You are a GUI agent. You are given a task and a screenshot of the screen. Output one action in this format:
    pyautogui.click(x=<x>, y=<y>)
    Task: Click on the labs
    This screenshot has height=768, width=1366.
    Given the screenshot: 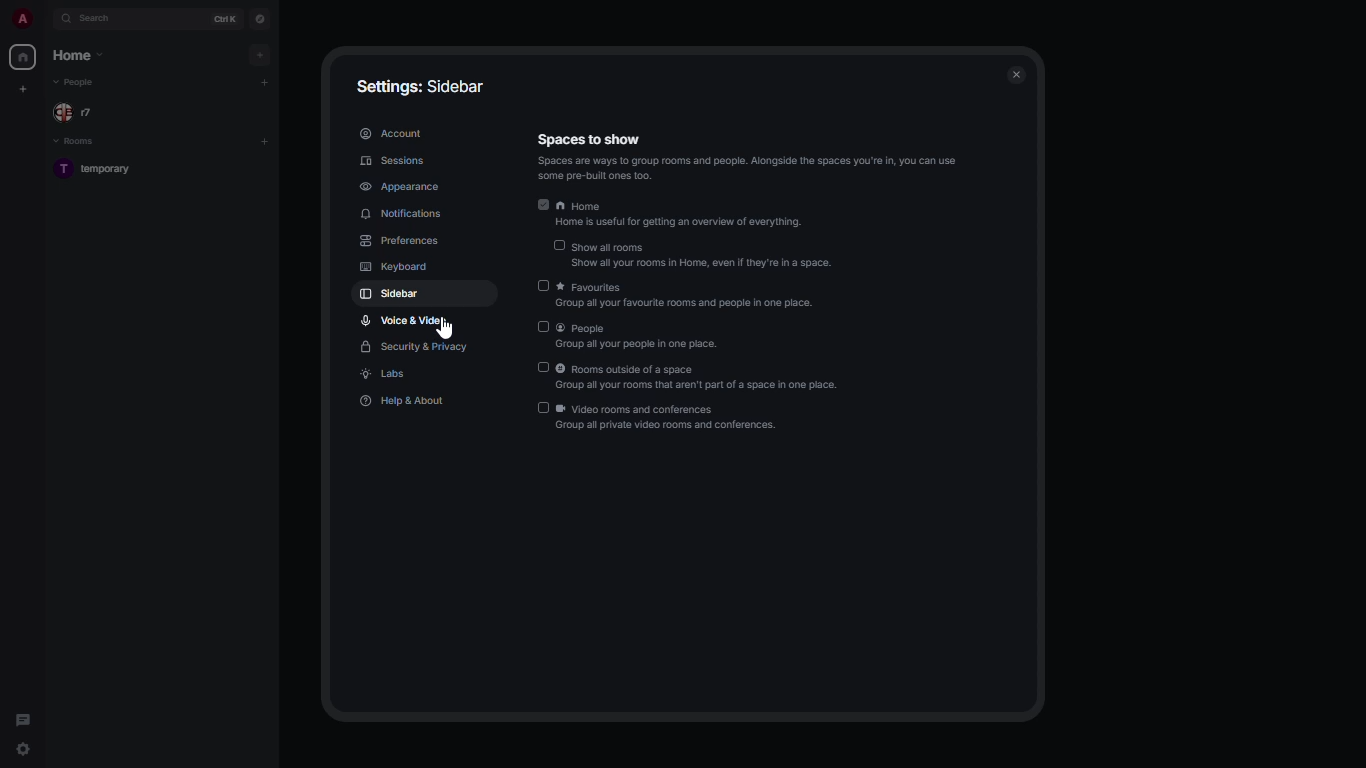 What is the action you would take?
    pyautogui.click(x=387, y=375)
    